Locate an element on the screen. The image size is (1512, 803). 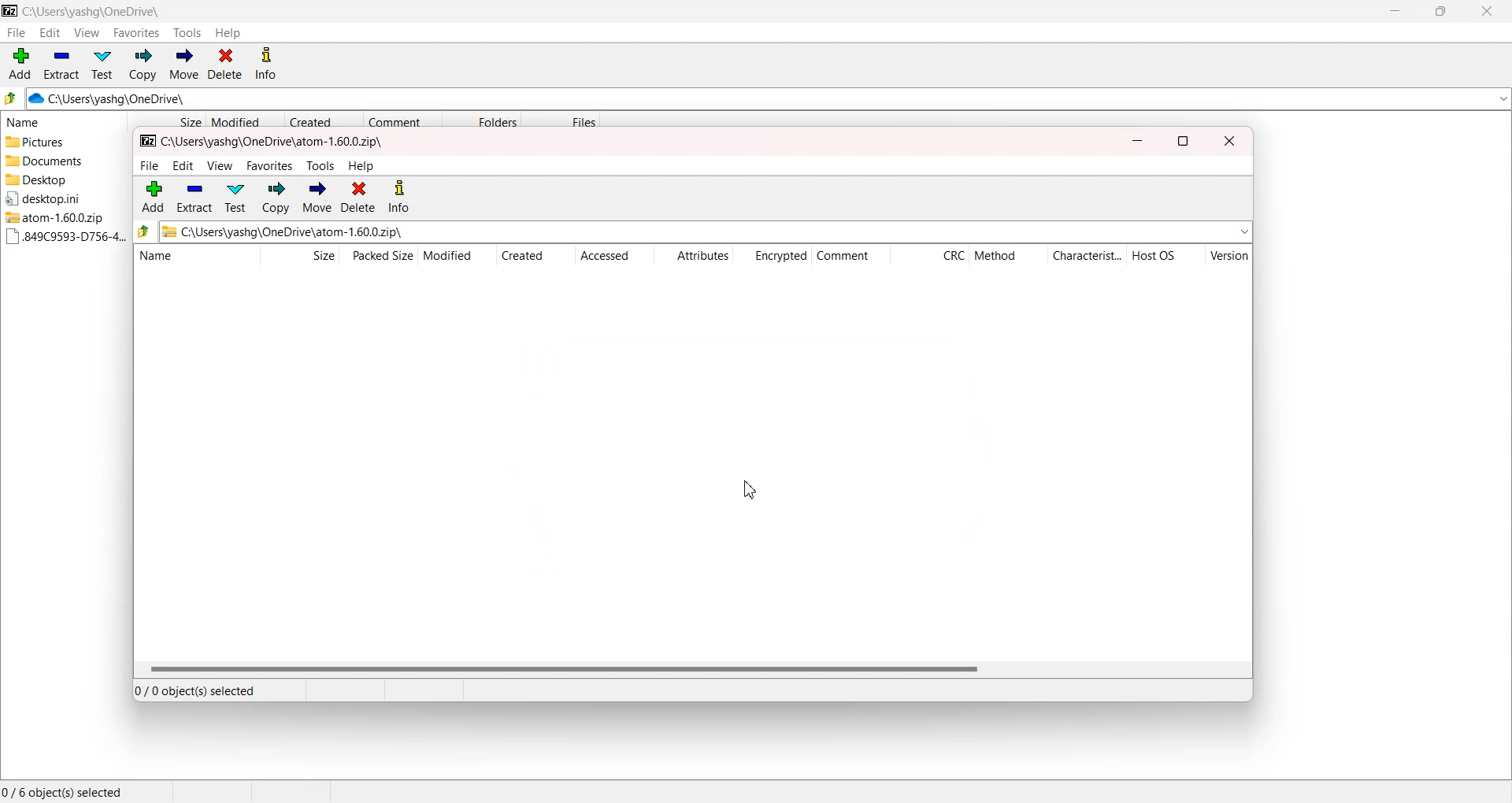
Accessed is located at coordinates (613, 257).